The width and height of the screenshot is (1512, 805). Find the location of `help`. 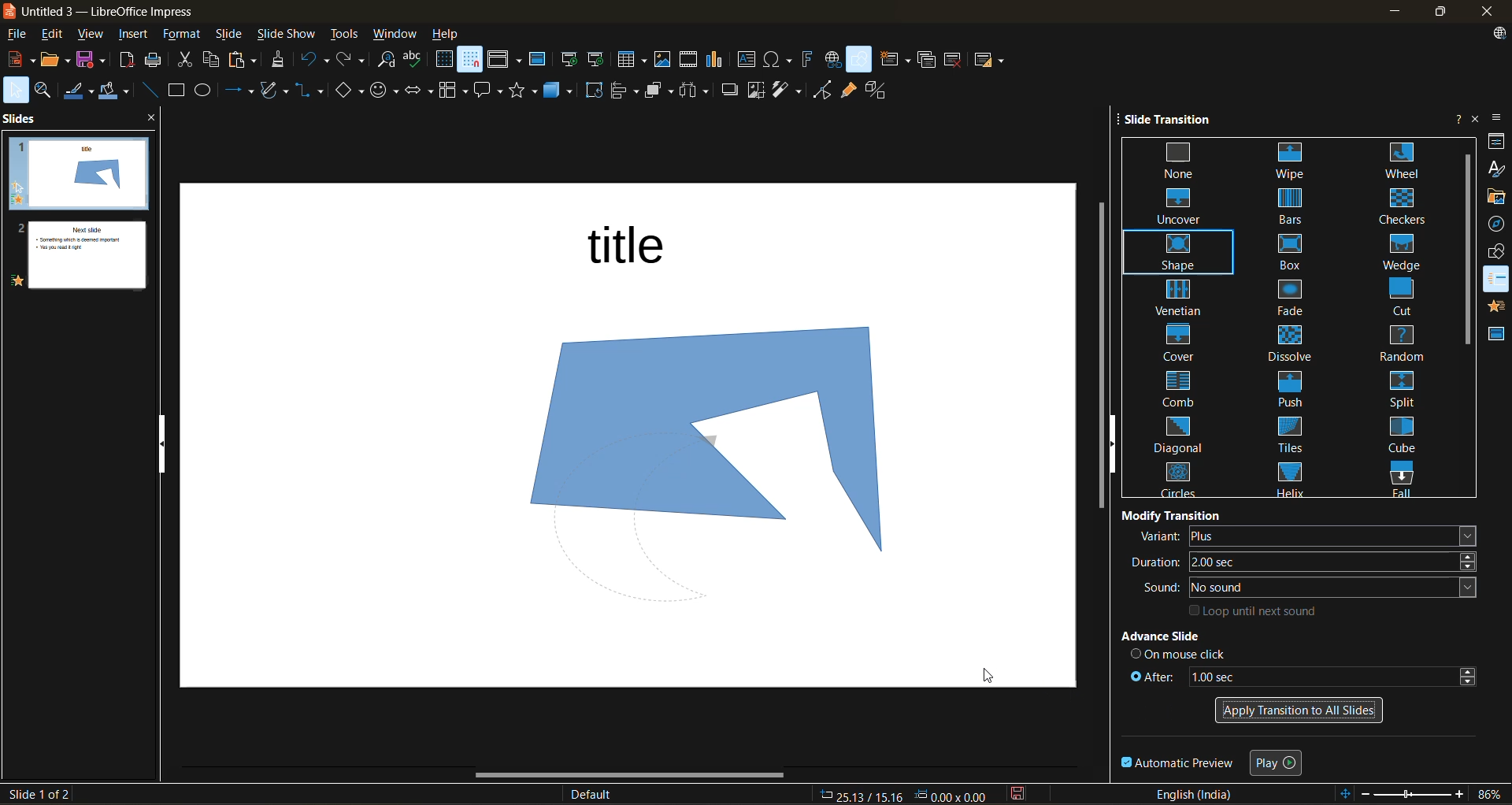

help is located at coordinates (454, 33).